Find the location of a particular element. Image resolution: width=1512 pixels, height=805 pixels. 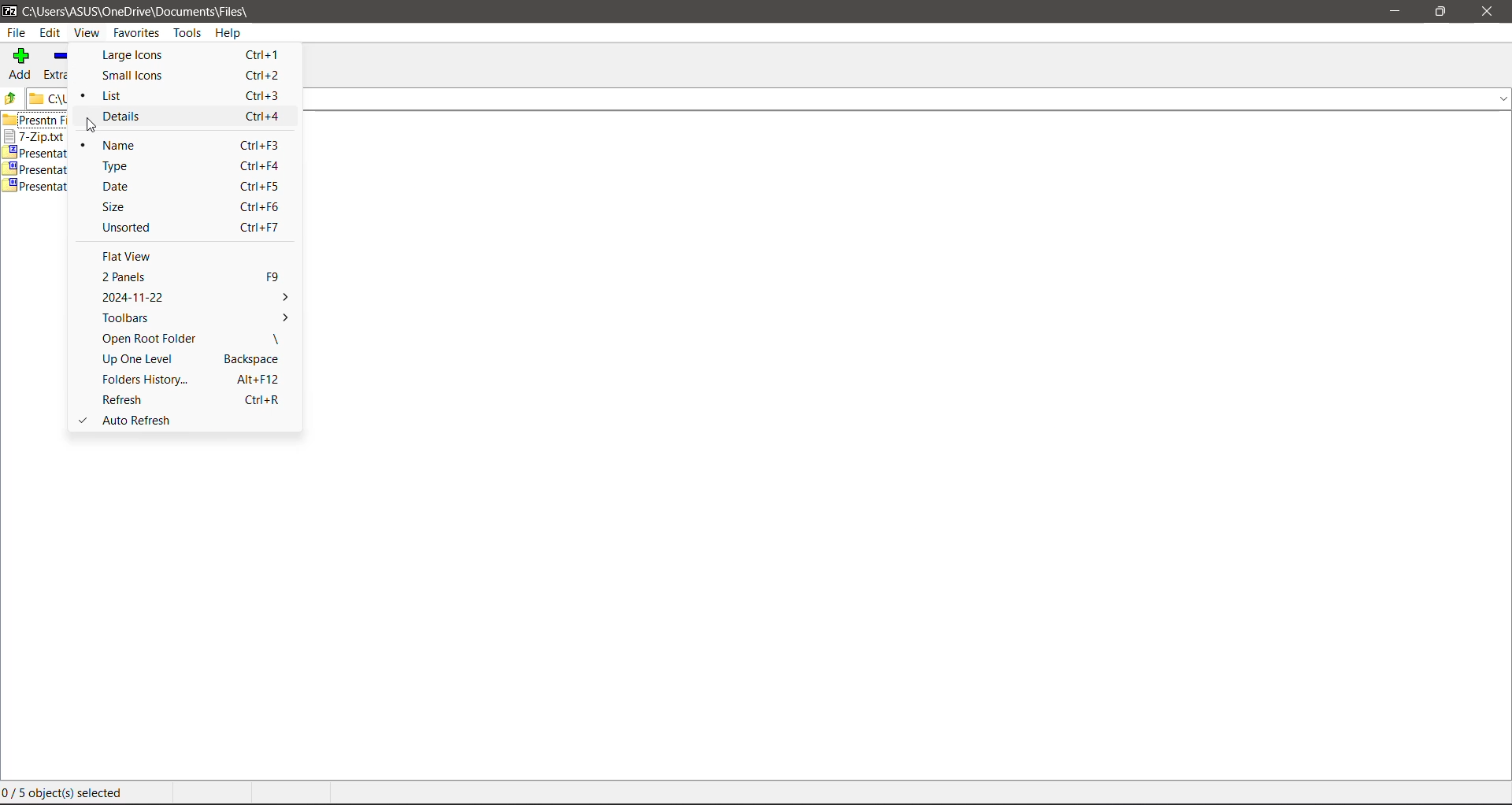

0/ 5 object(s) selected is located at coordinates (67, 793).